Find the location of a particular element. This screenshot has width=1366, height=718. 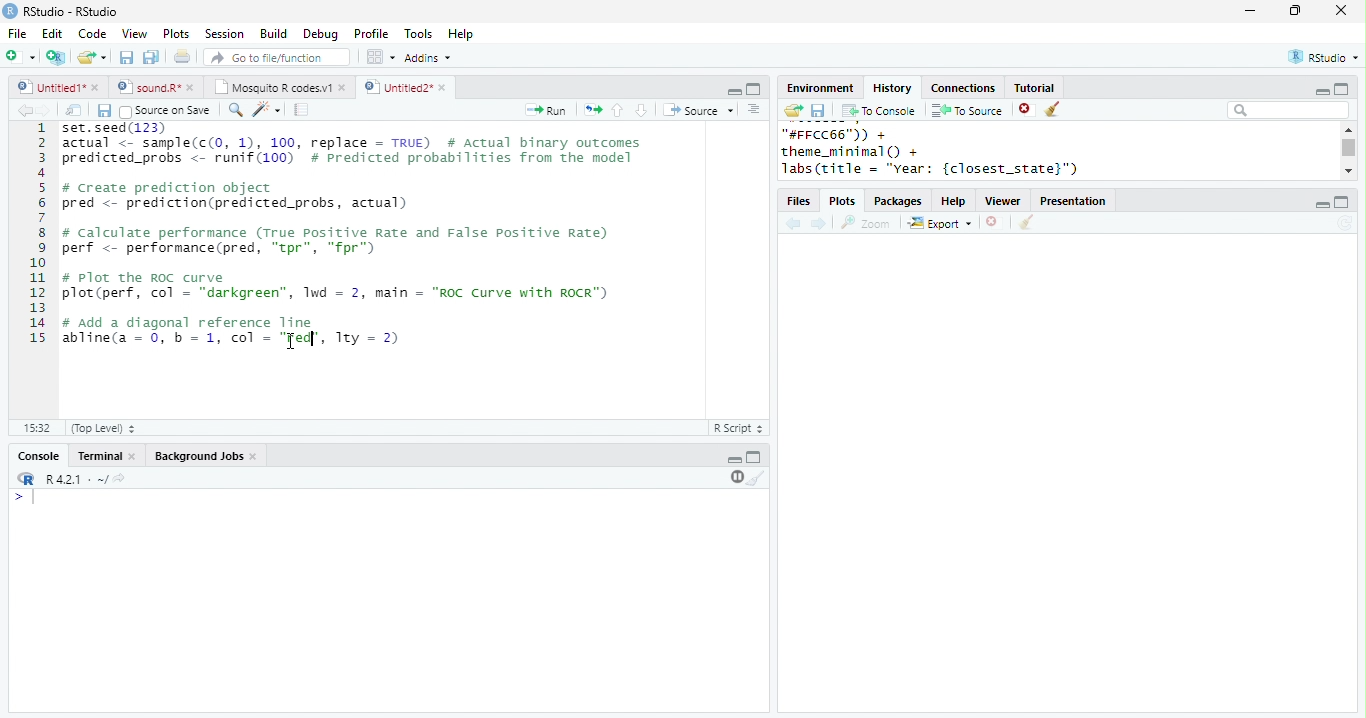

minimize is located at coordinates (1321, 92).